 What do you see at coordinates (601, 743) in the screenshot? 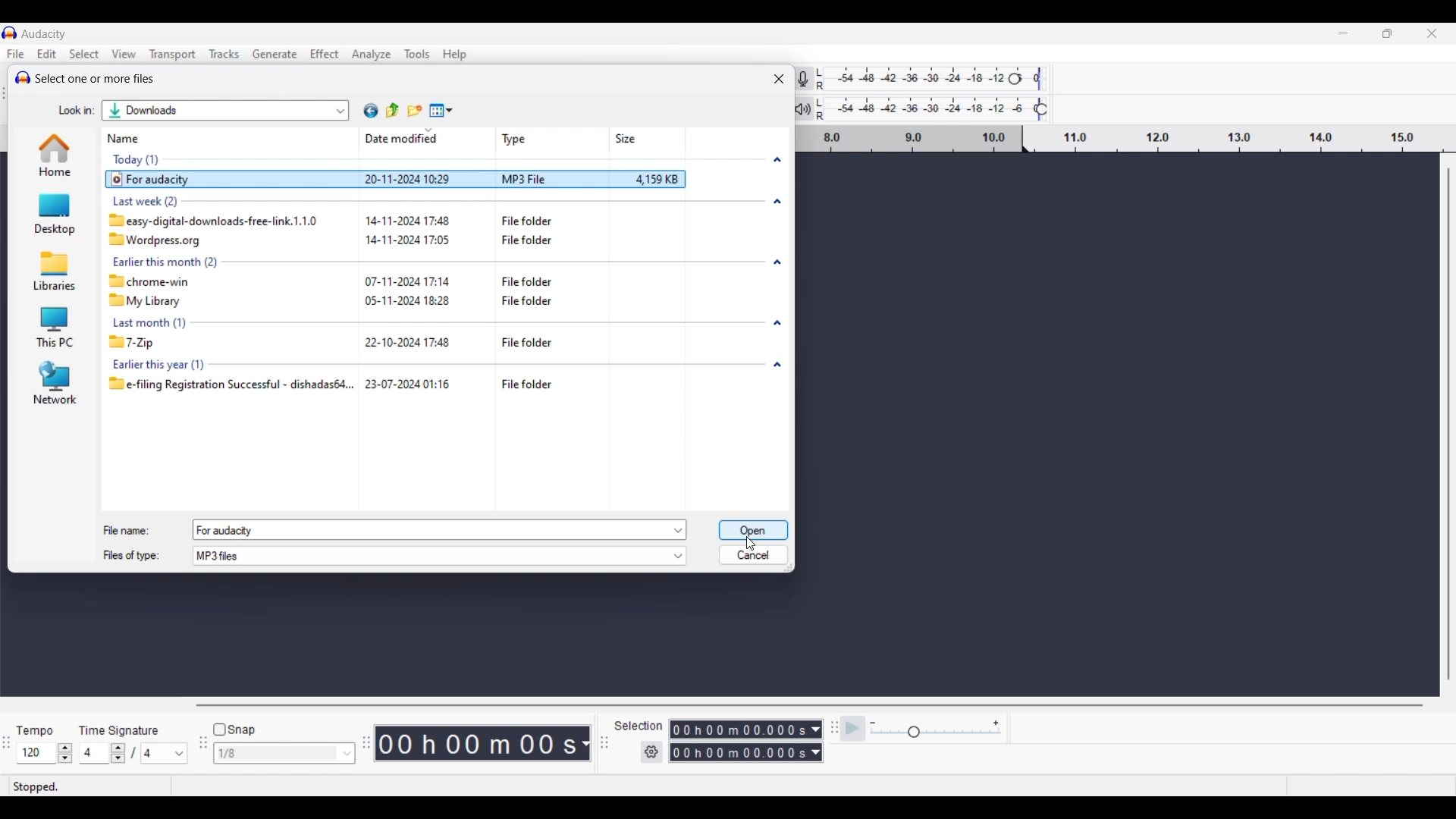
I see `selection toolbar` at bounding box center [601, 743].